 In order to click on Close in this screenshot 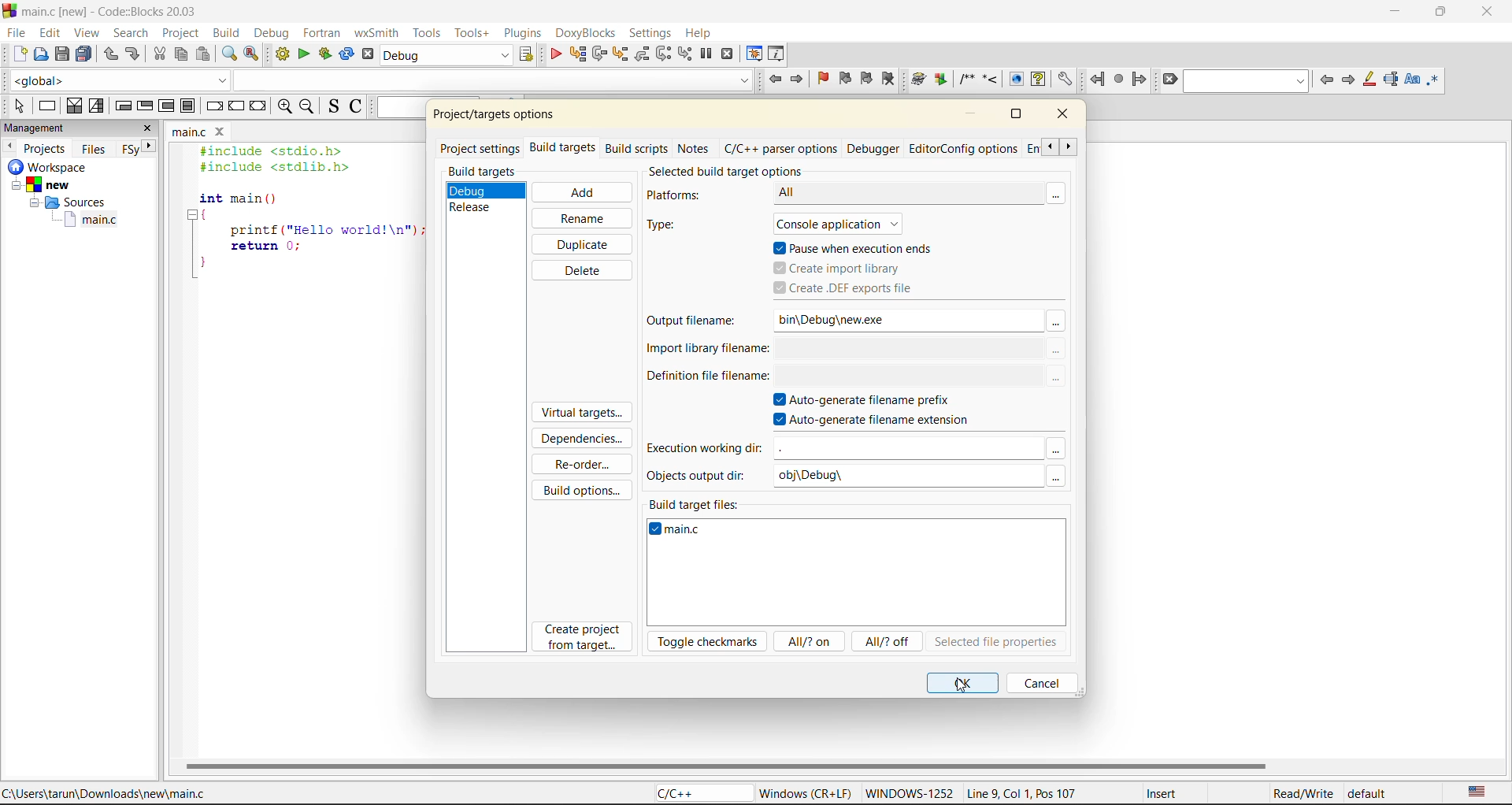, I will do `click(223, 132)`.